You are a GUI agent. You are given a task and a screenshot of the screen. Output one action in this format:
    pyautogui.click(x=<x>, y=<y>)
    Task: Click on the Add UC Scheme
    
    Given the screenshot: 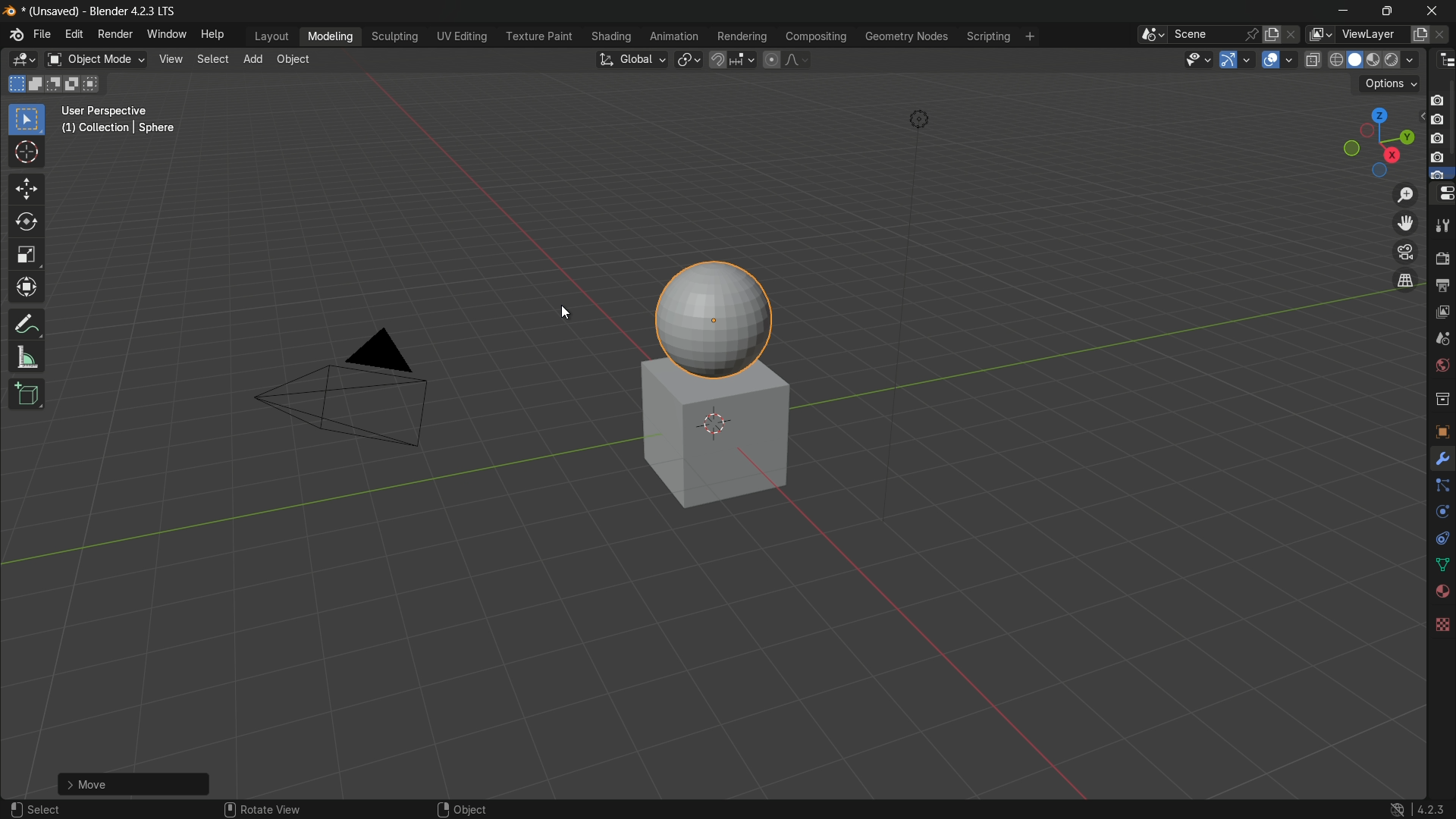 What is the action you would take?
    pyautogui.click(x=134, y=782)
    